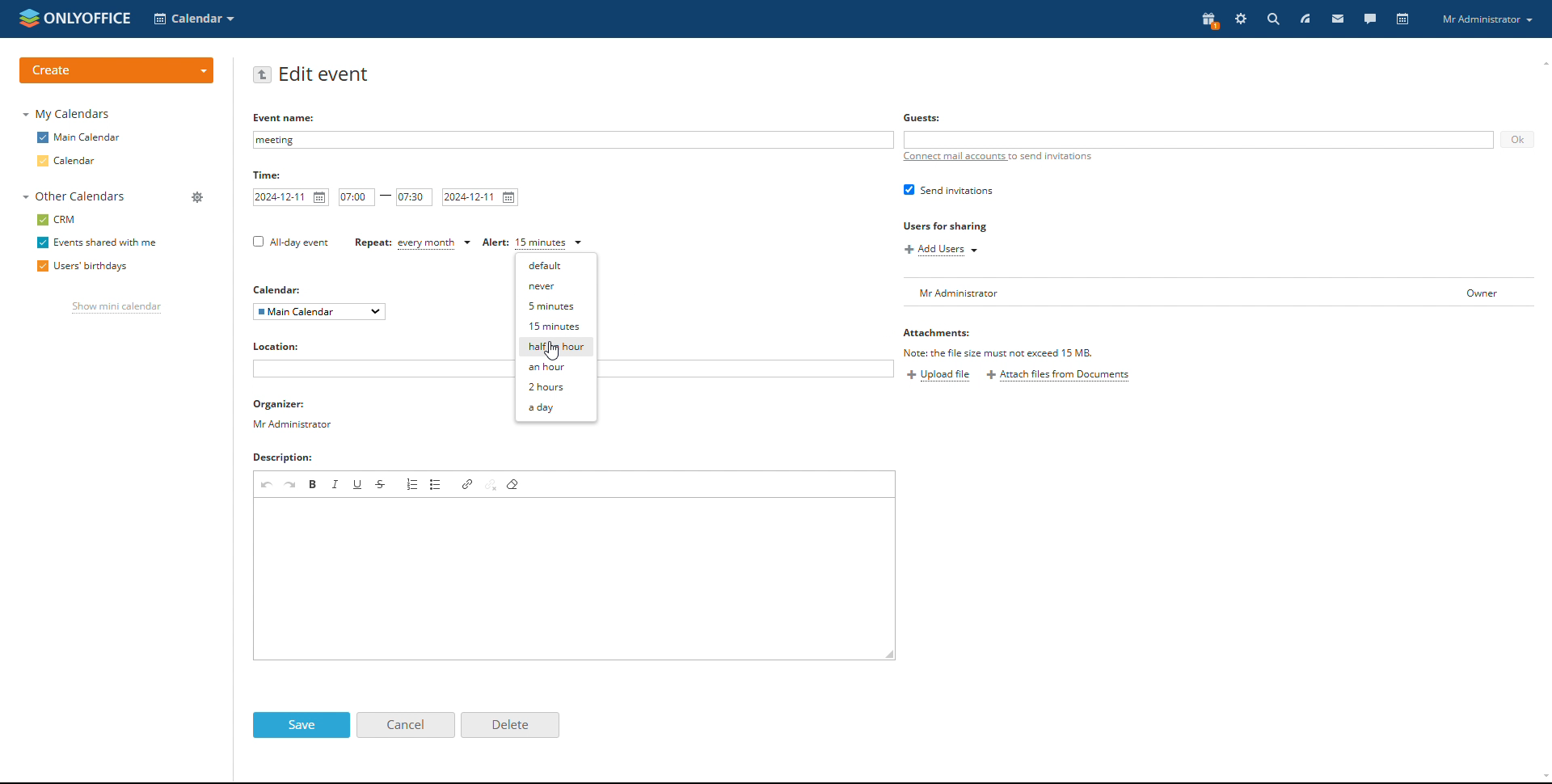 This screenshot has width=1552, height=784. What do you see at coordinates (276, 287) in the screenshot?
I see `Calendar:` at bounding box center [276, 287].